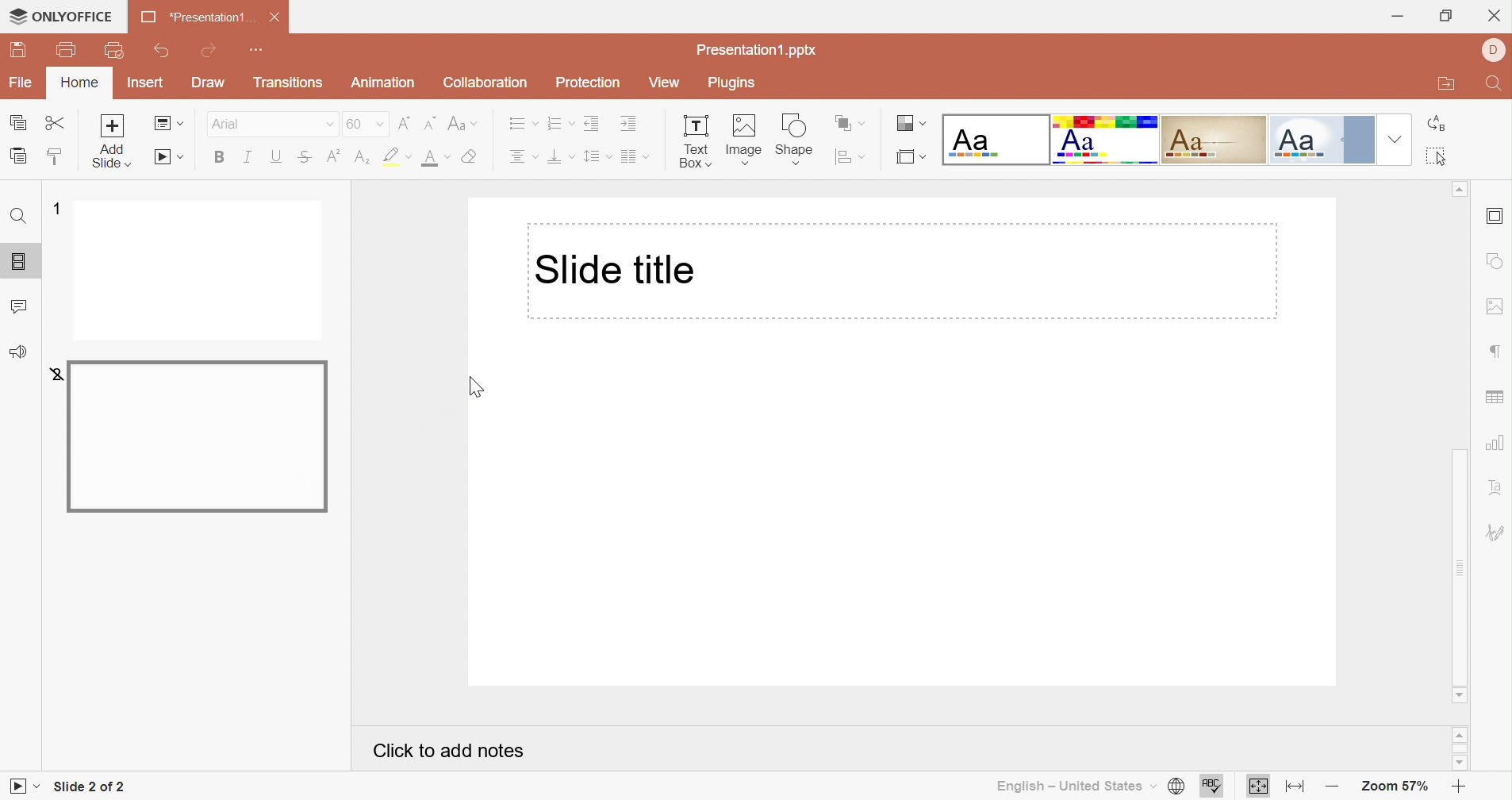 This screenshot has height=800, width=1512. I want to click on Restore Down, so click(1446, 18).